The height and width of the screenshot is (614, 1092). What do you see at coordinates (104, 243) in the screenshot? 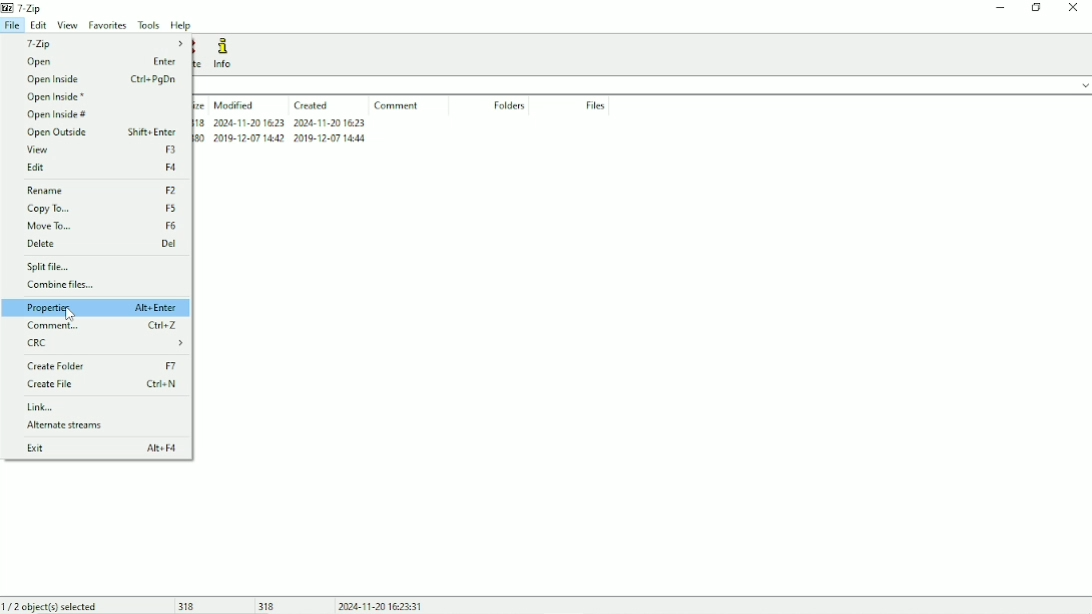
I see `Delete` at bounding box center [104, 243].